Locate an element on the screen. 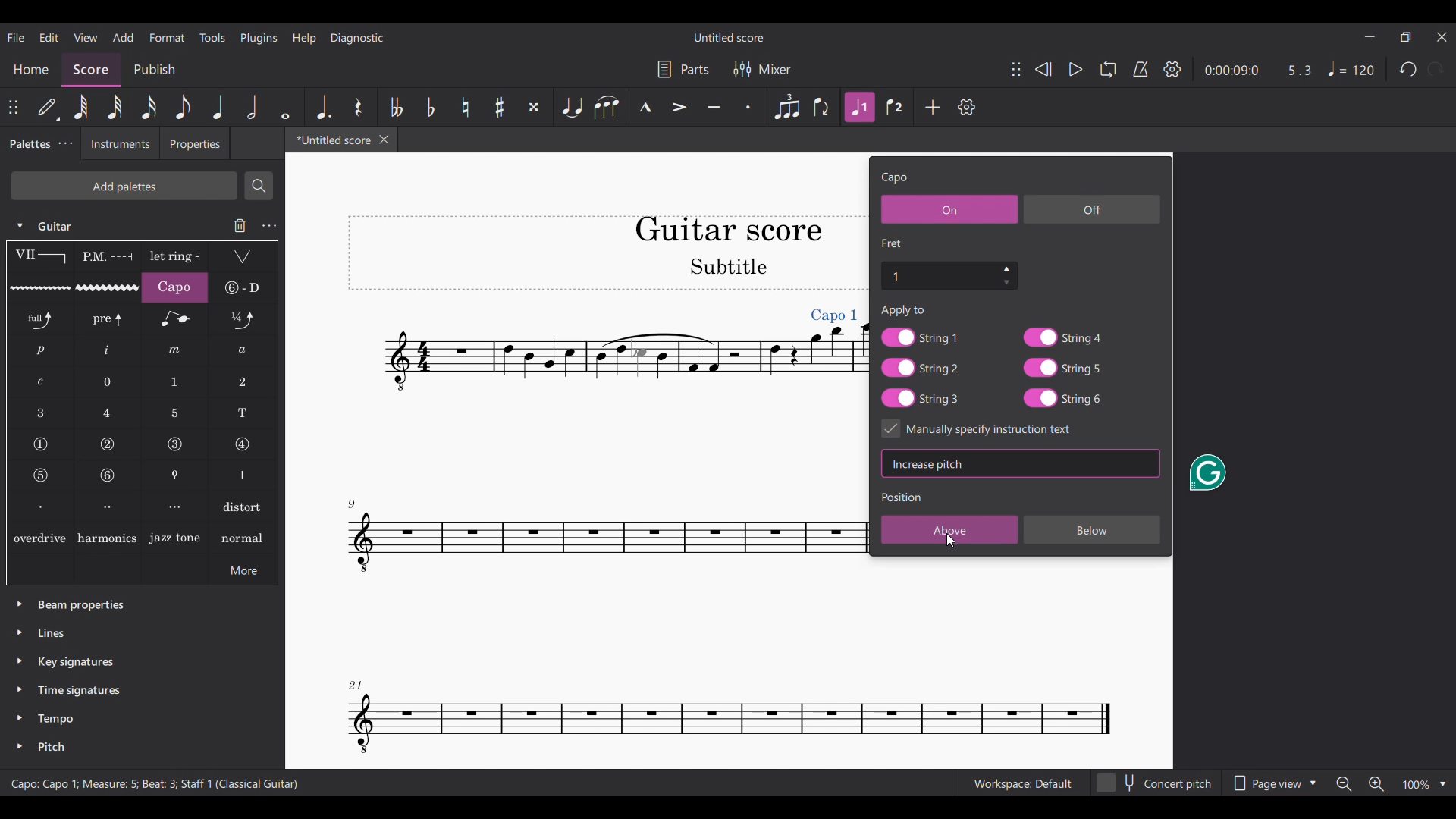 Image resolution: width=1456 pixels, height=819 pixels. String number 1 is located at coordinates (40, 444).